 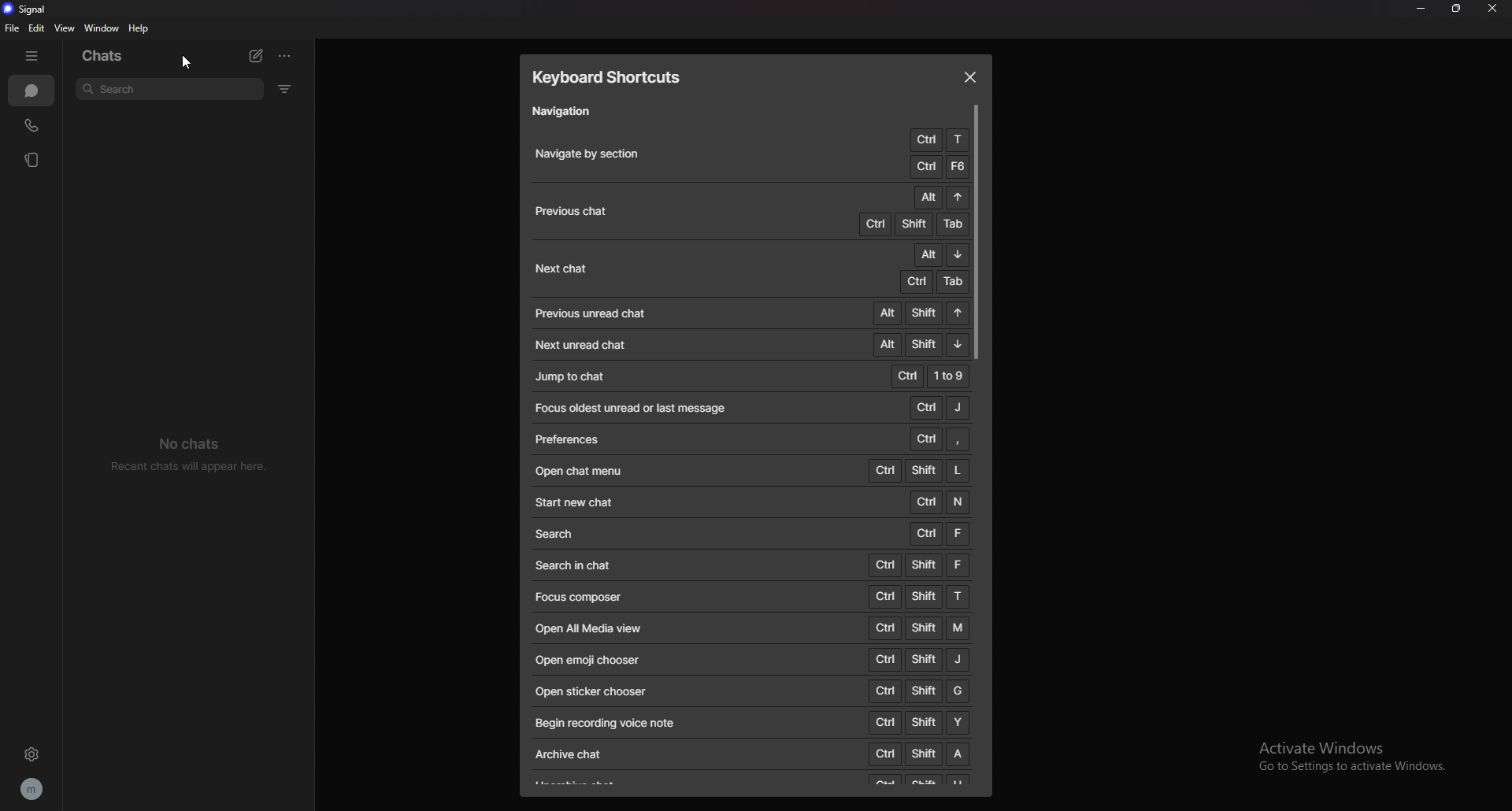 What do you see at coordinates (589, 659) in the screenshot?
I see `open emoji chooser` at bounding box center [589, 659].